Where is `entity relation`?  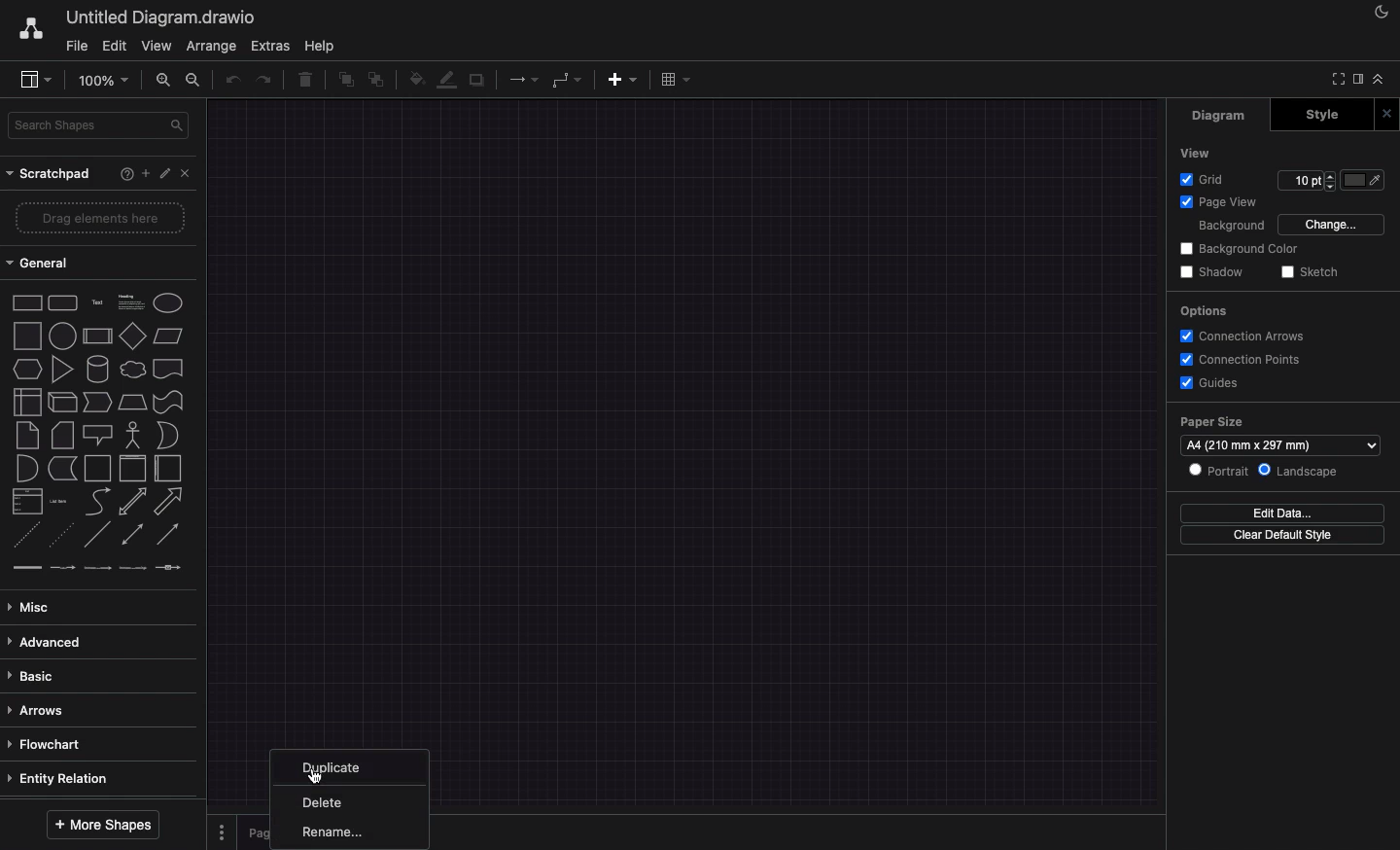 entity relation is located at coordinates (61, 778).